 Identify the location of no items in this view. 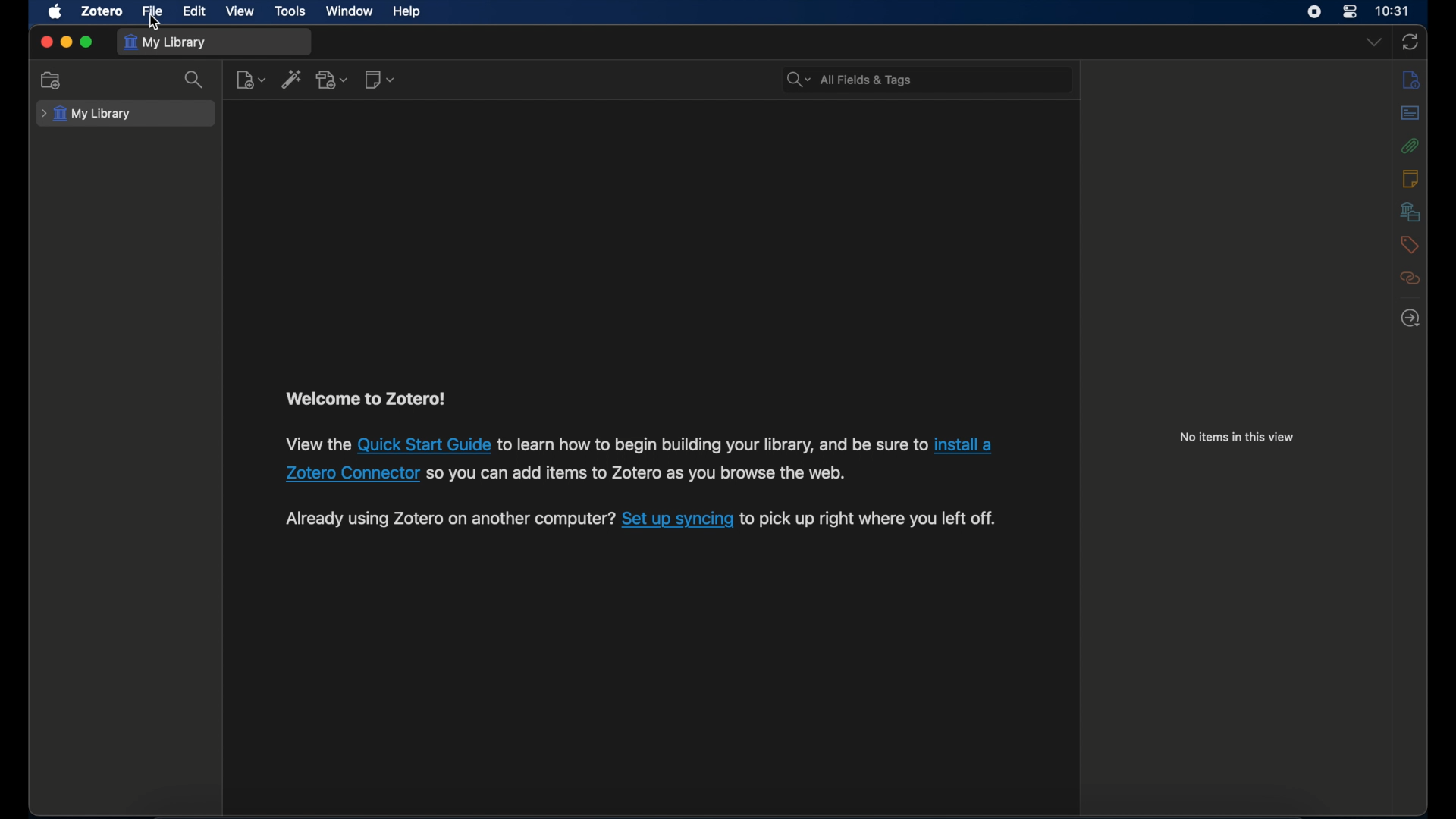
(1237, 437).